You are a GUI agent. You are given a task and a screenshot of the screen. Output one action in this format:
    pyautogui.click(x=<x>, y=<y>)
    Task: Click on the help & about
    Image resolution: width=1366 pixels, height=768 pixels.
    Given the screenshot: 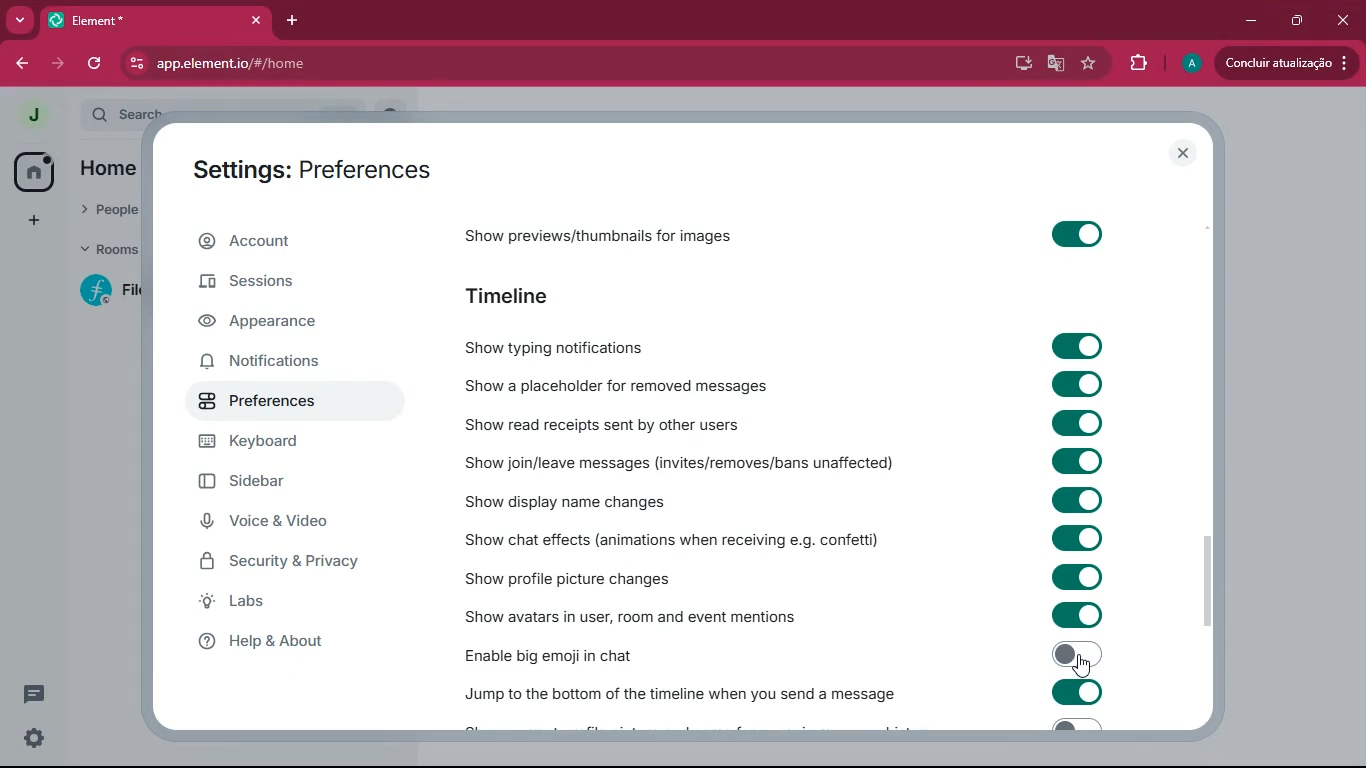 What is the action you would take?
    pyautogui.click(x=295, y=645)
    